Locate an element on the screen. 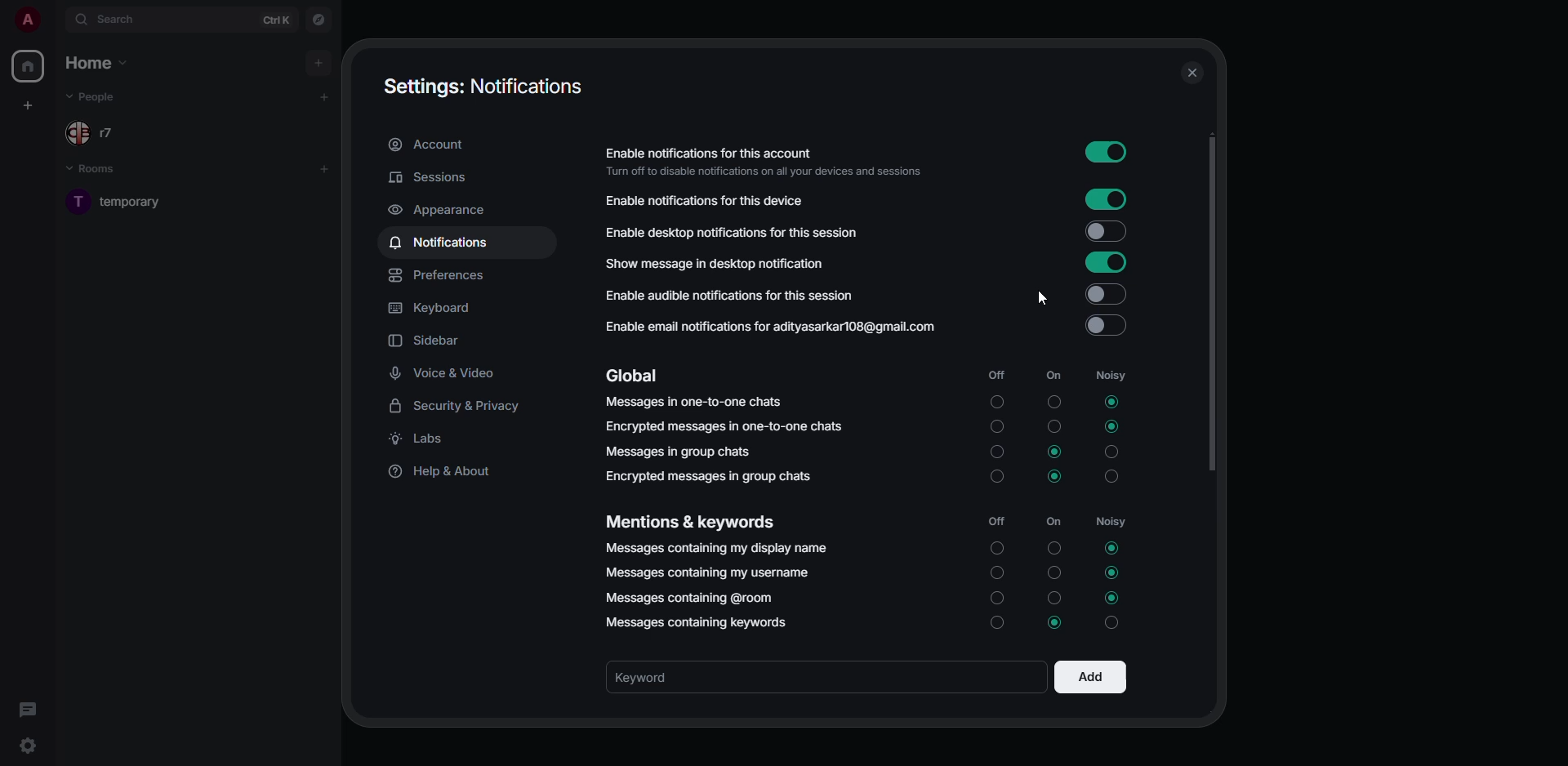  labs is located at coordinates (423, 440).